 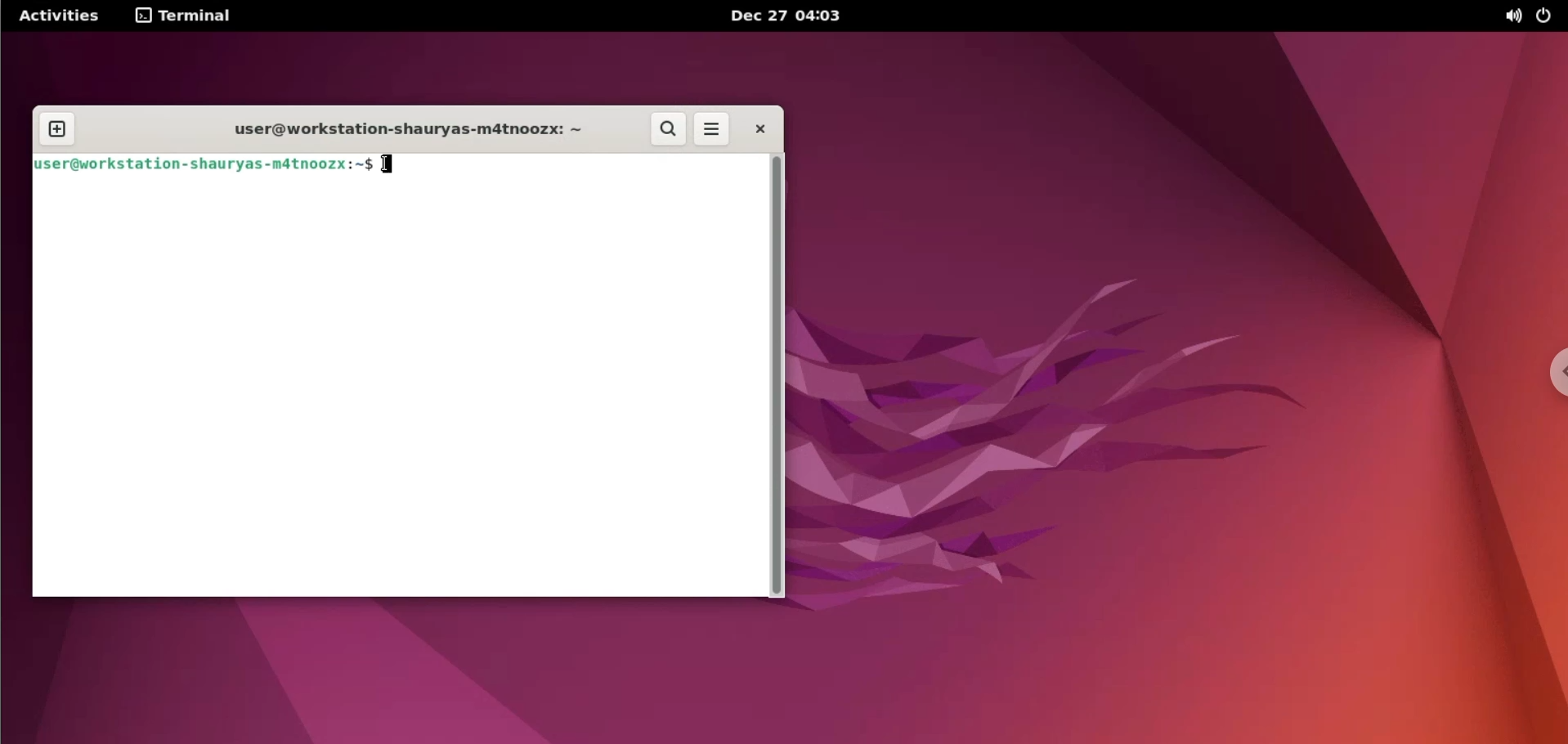 What do you see at coordinates (711, 130) in the screenshot?
I see `more options` at bounding box center [711, 130].